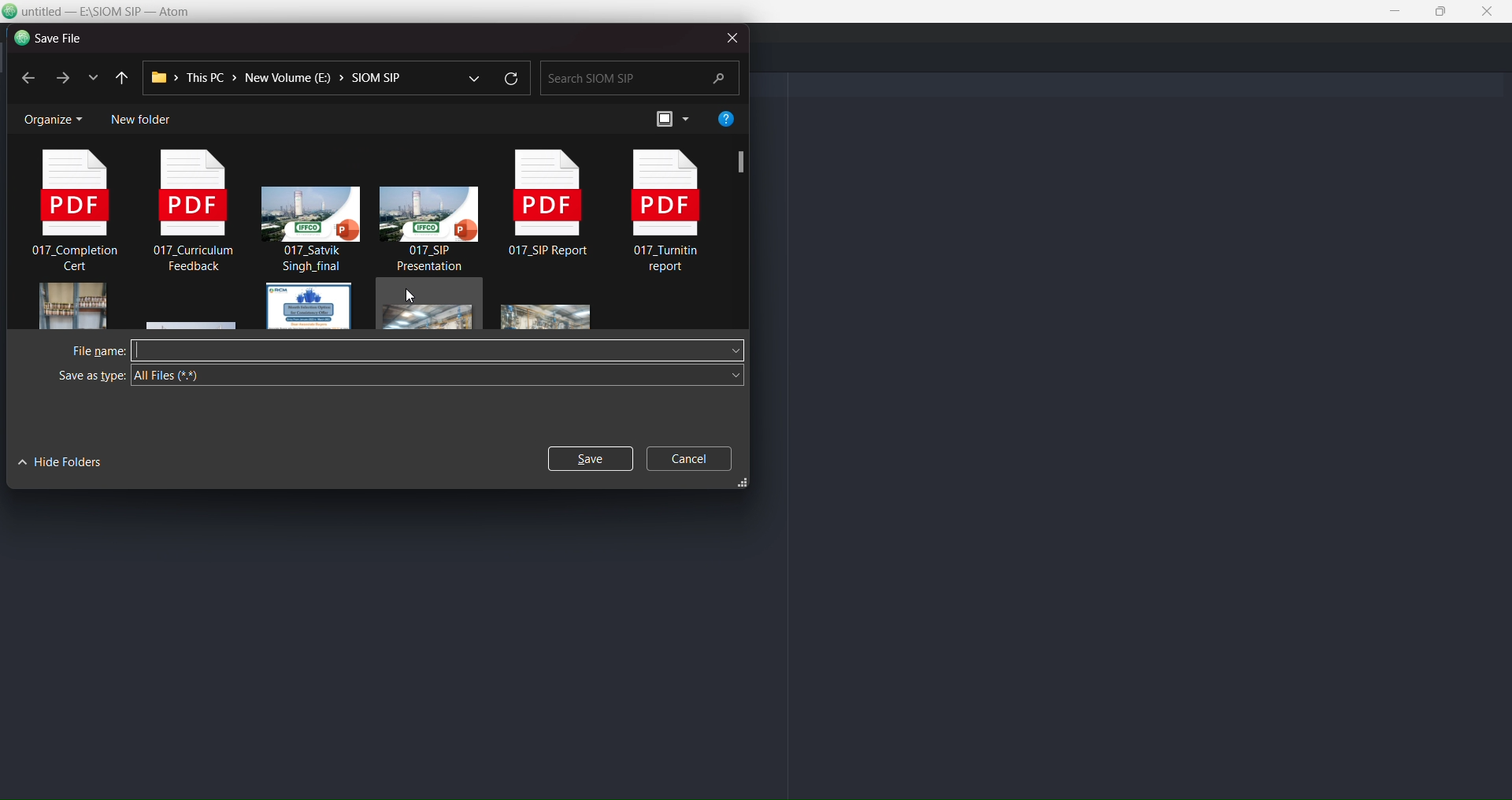 The width and height of the screenshot is (1512, 800). Describe the element at coordinates (511, 78) in the screenshot. I see `refresh` at that location.